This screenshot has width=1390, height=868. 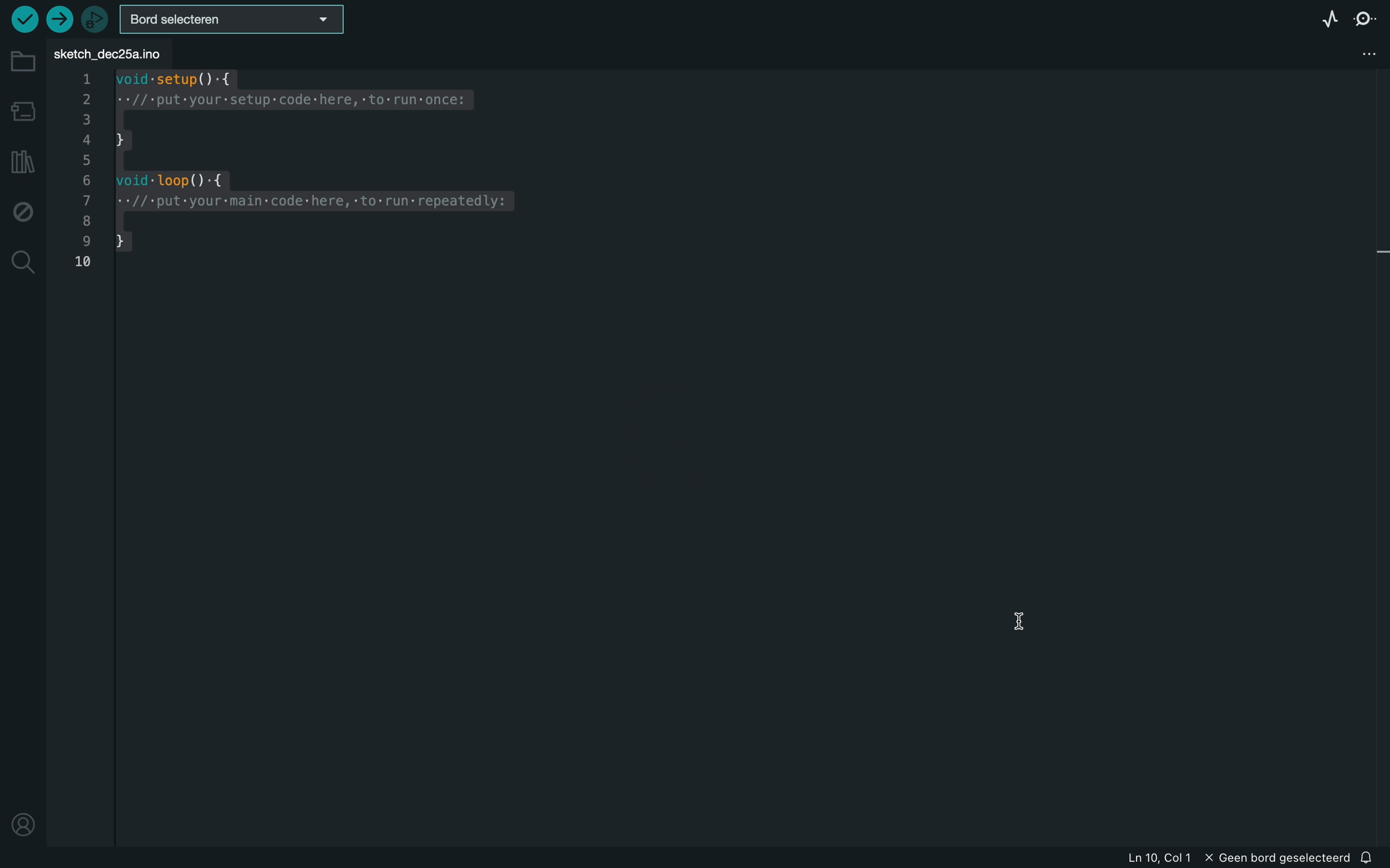 What do you see at coordinates (230, 20) in the screenshot?
I see `bord  selecteren` at bounding box center [230, 20].